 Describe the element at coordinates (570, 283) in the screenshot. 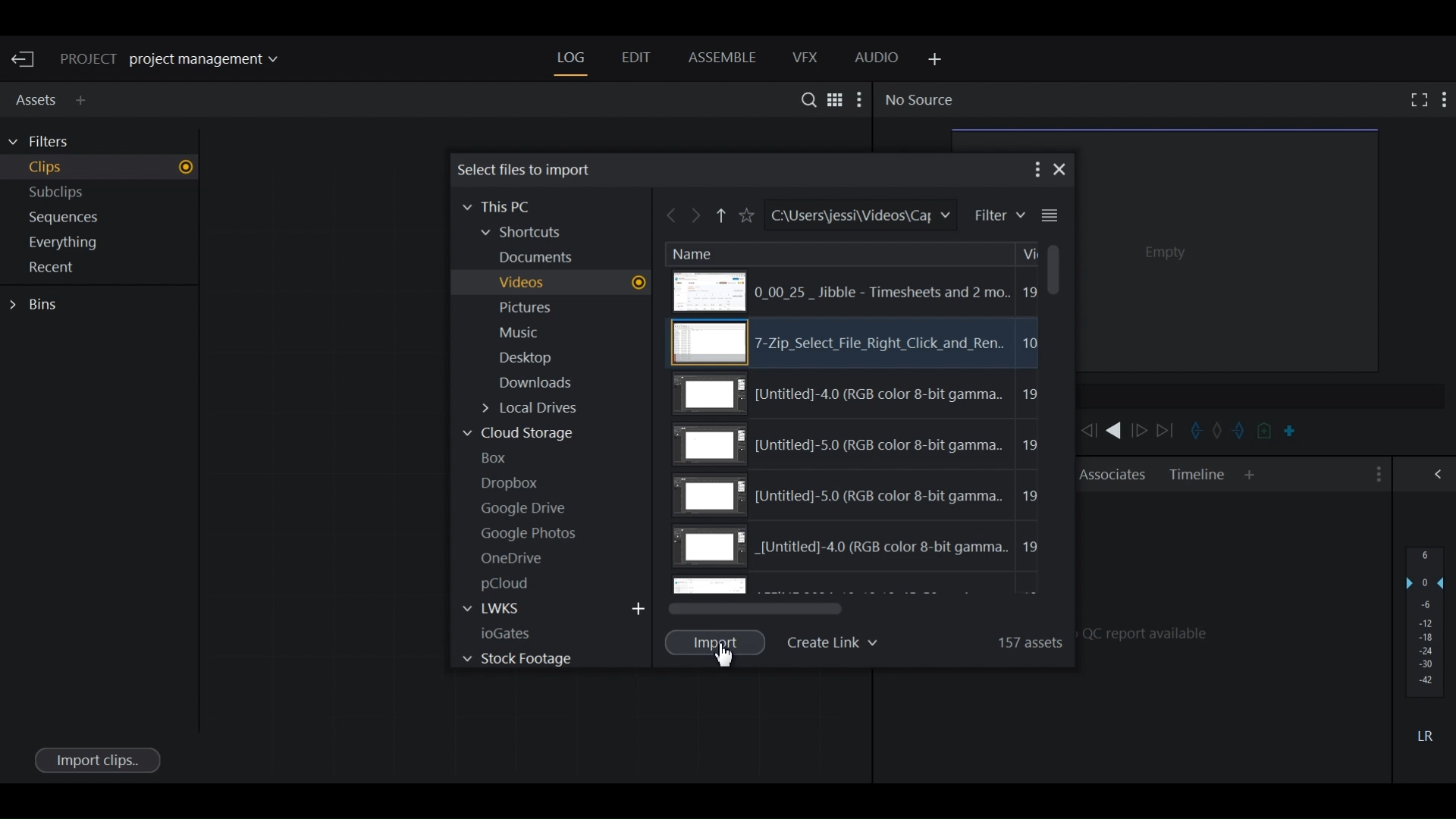

I see `Videos` at that location.